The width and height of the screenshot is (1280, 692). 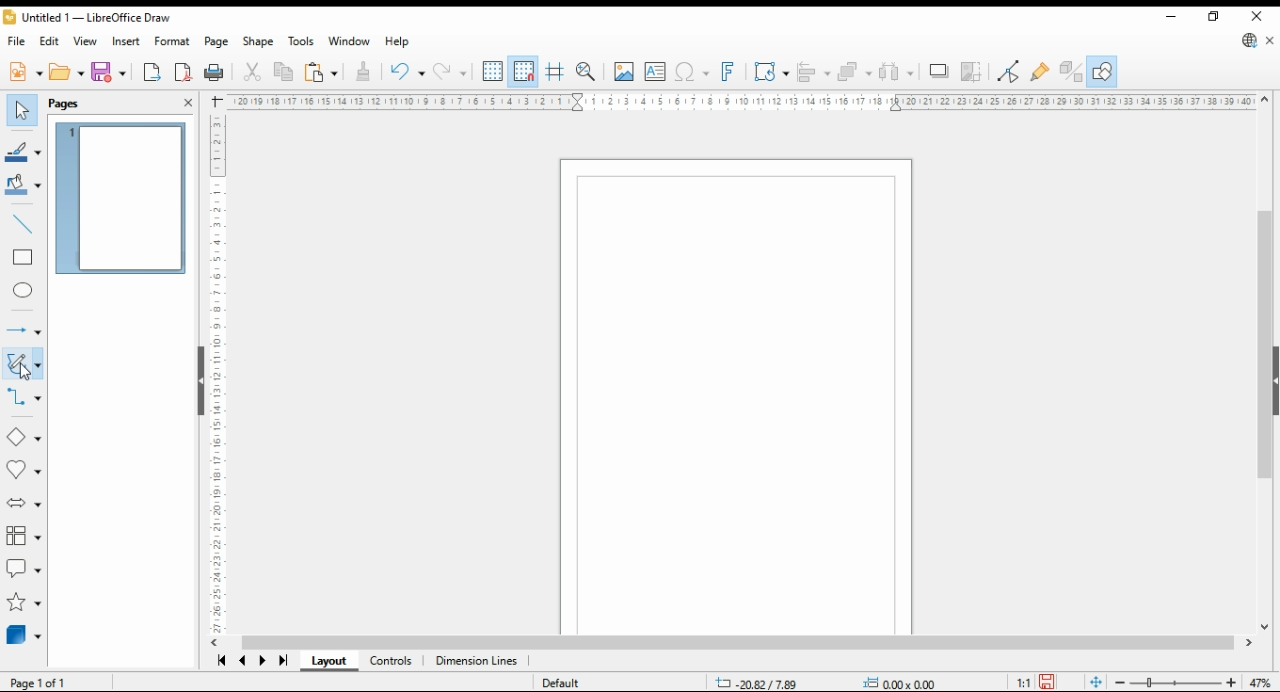 I want to click on redo, so click(x=452, y=71).